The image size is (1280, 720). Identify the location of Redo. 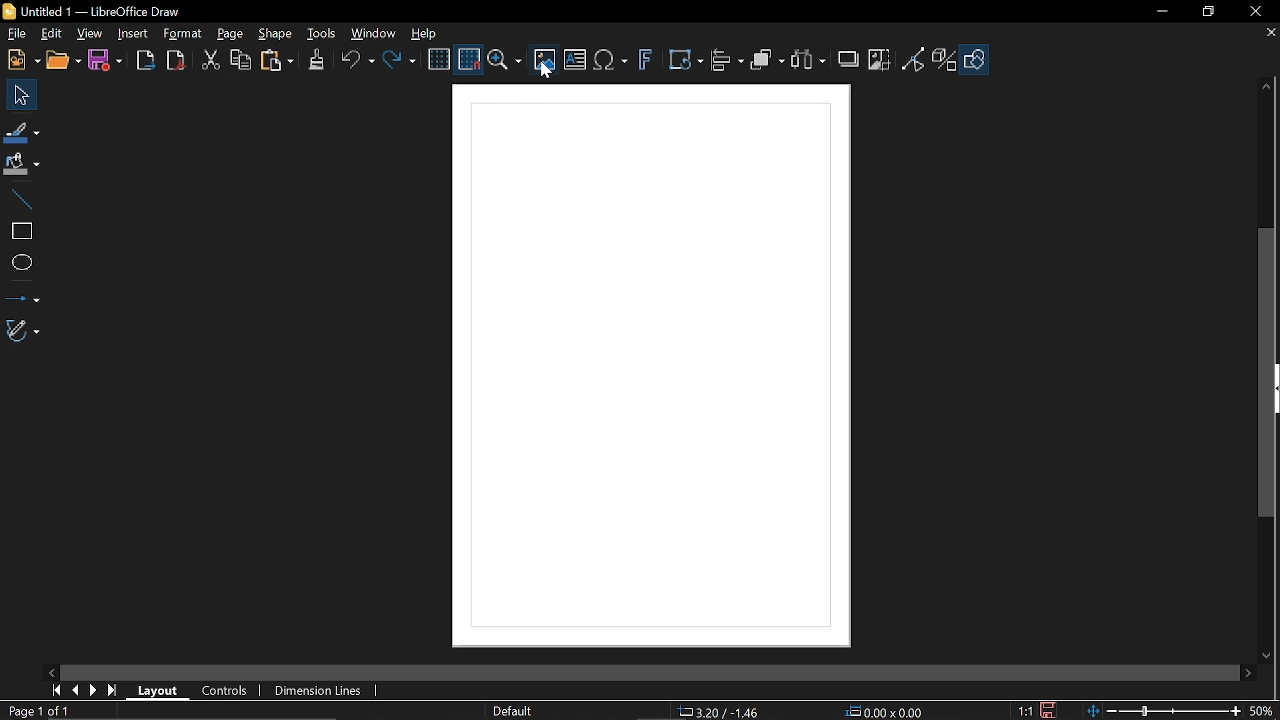
(402, 64).